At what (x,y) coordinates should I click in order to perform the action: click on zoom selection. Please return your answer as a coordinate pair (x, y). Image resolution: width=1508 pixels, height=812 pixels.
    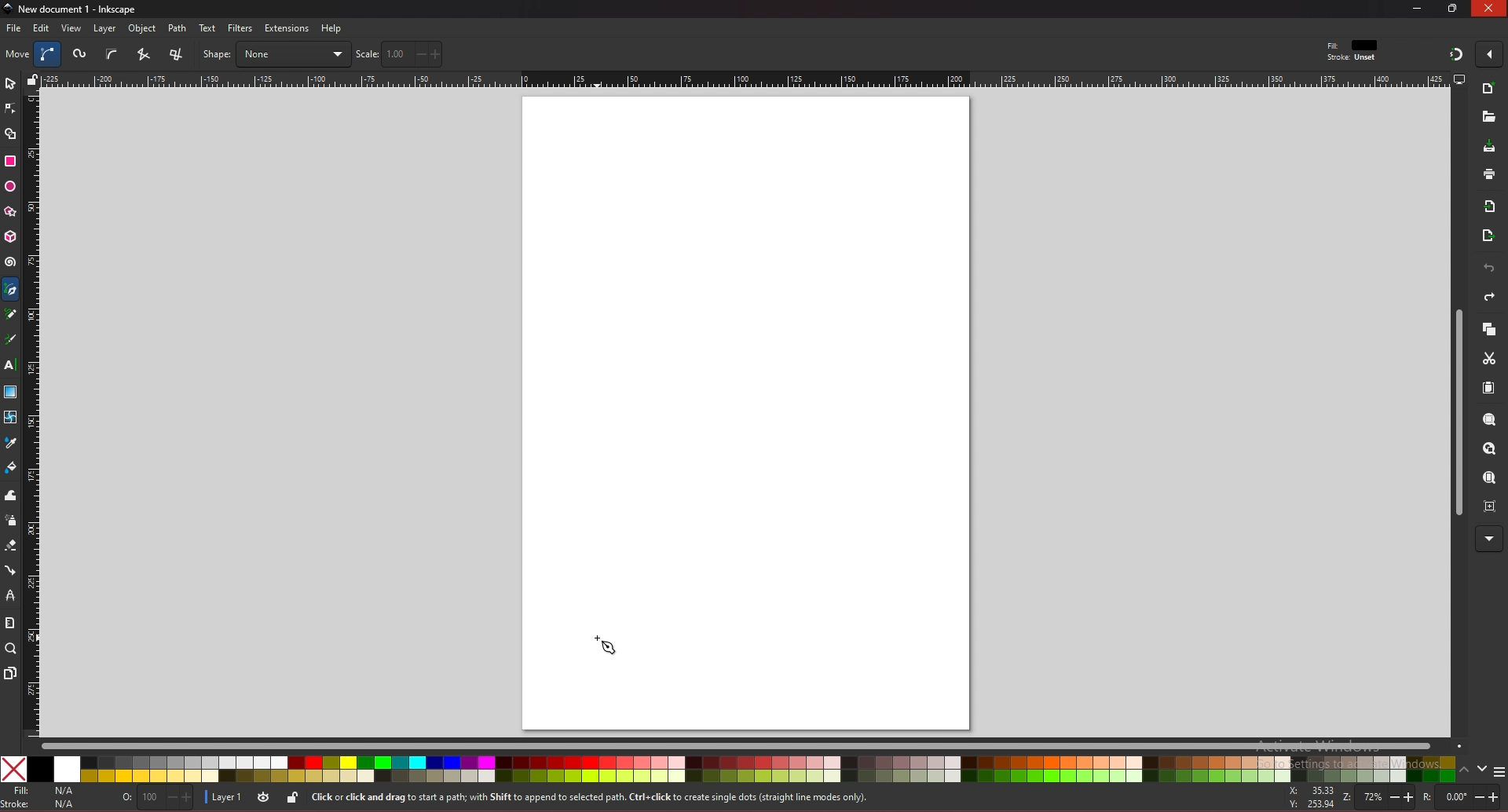
    Looking at the image, I should click on (1491, 421).